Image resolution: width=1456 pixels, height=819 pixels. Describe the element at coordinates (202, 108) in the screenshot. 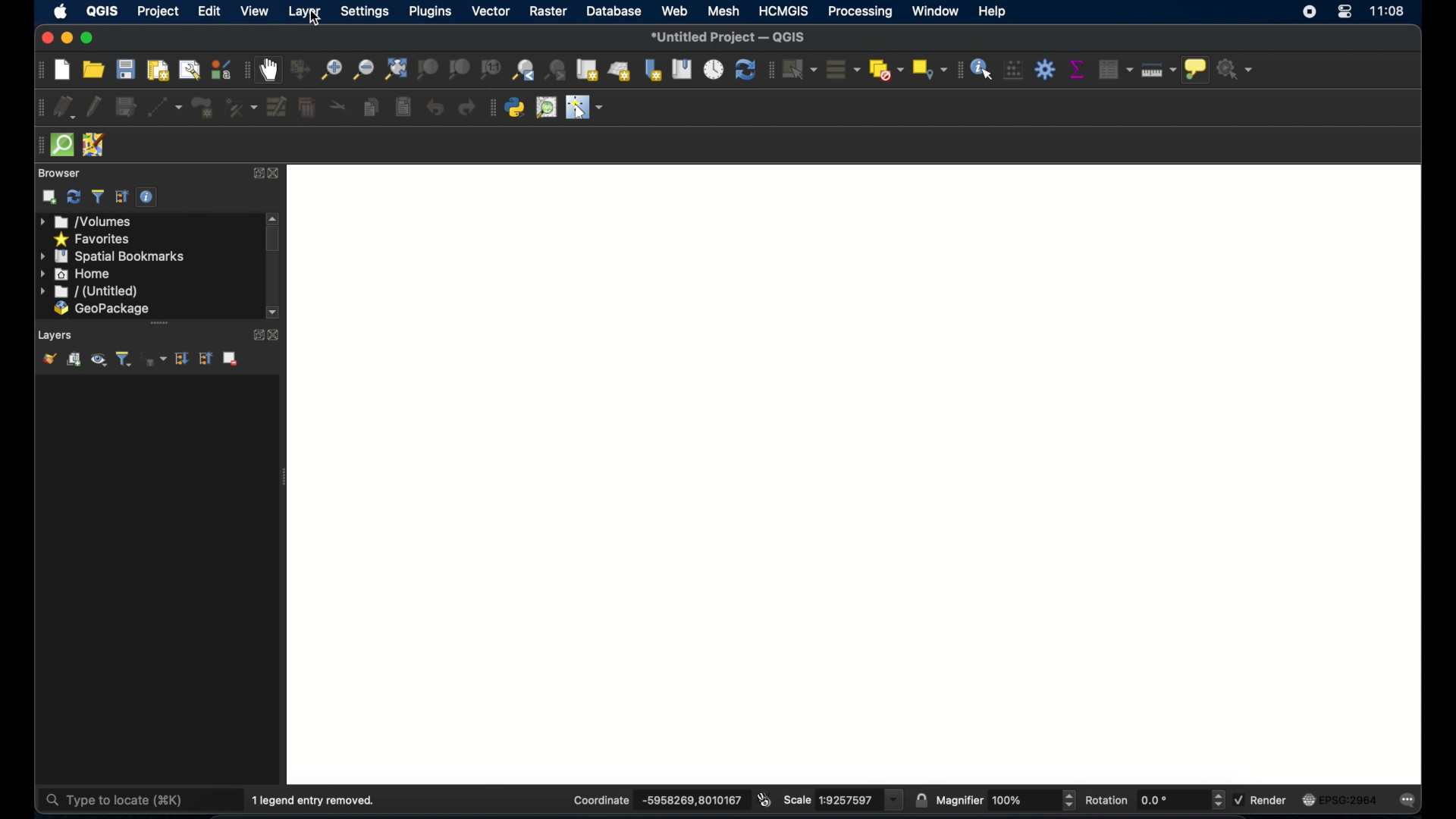

I see `add polygon feature` at that location.